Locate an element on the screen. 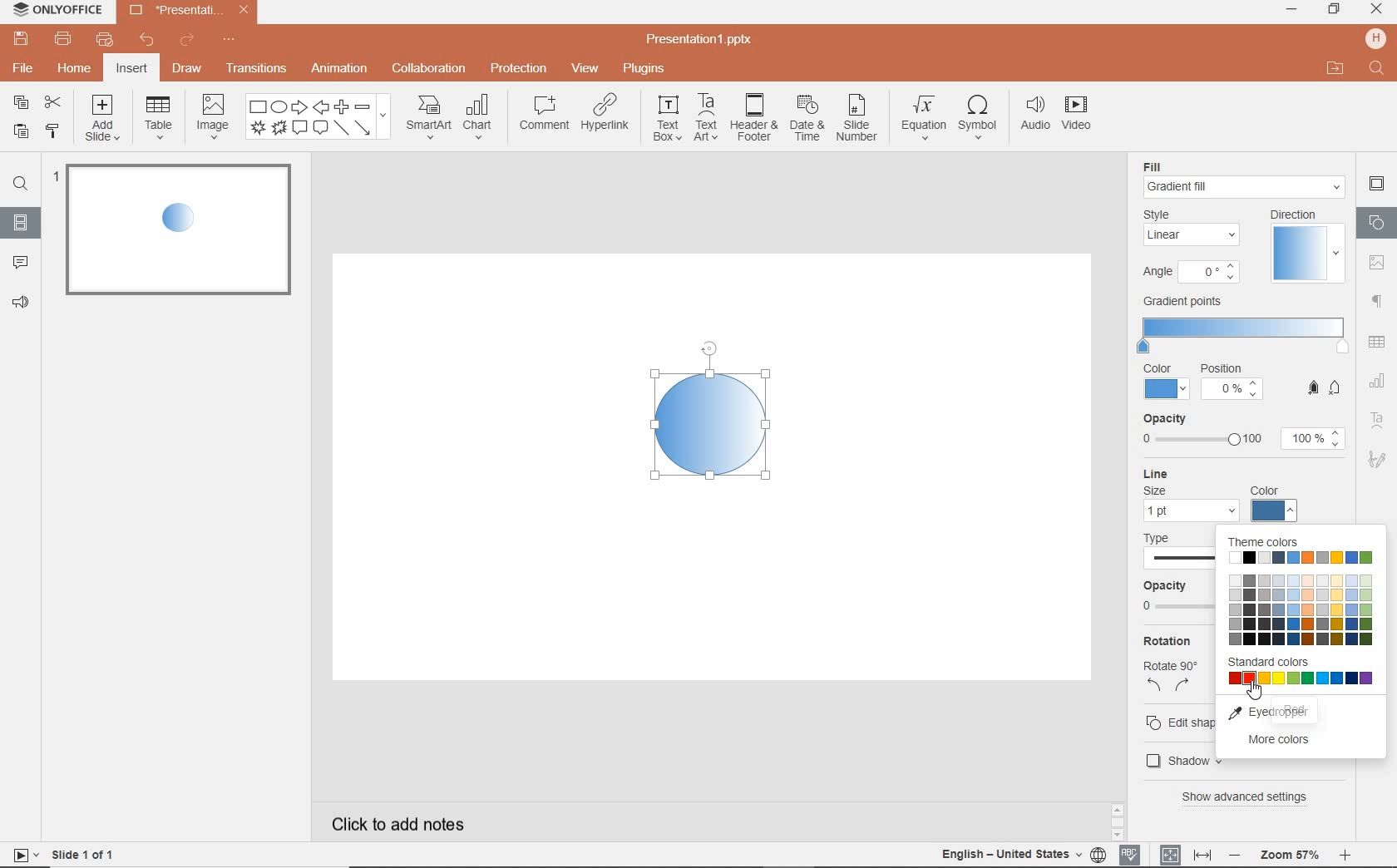  gradient points is located at coordinates (1243, 327).